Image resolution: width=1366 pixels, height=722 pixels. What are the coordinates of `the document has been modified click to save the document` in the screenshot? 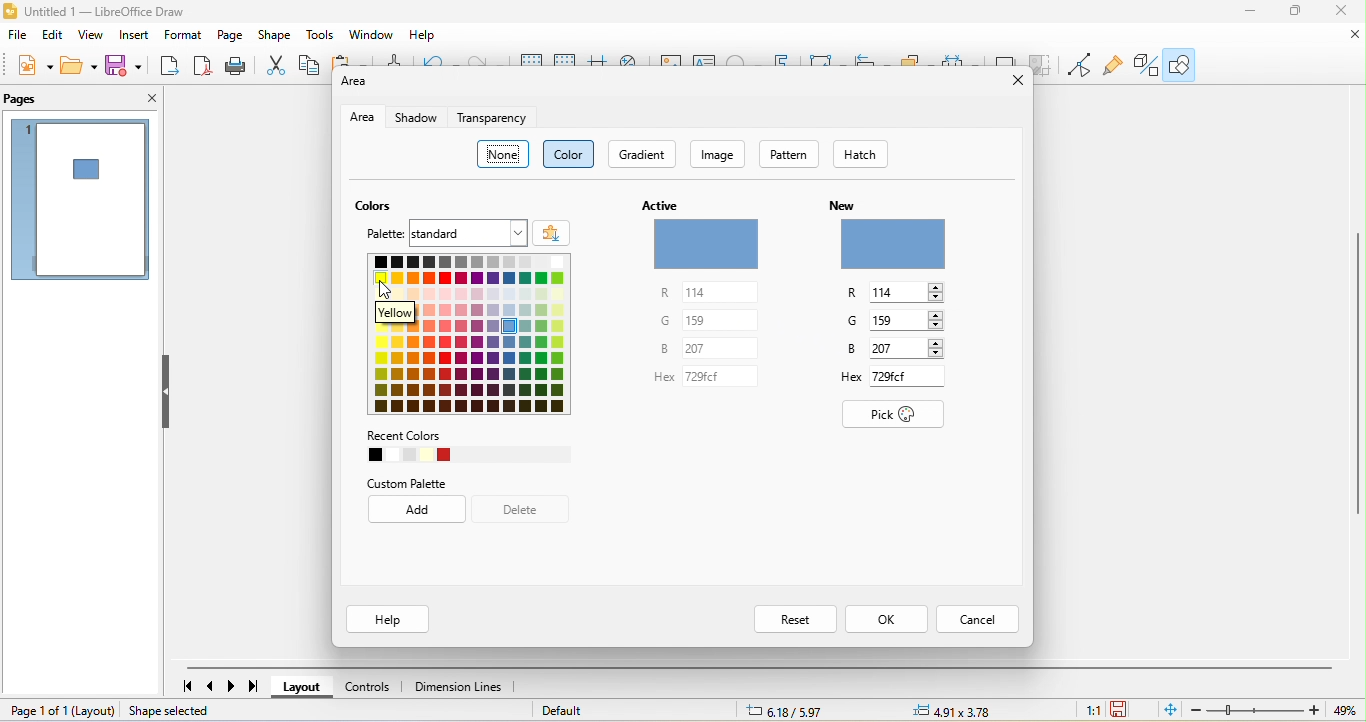 It's located at (1123, 710).